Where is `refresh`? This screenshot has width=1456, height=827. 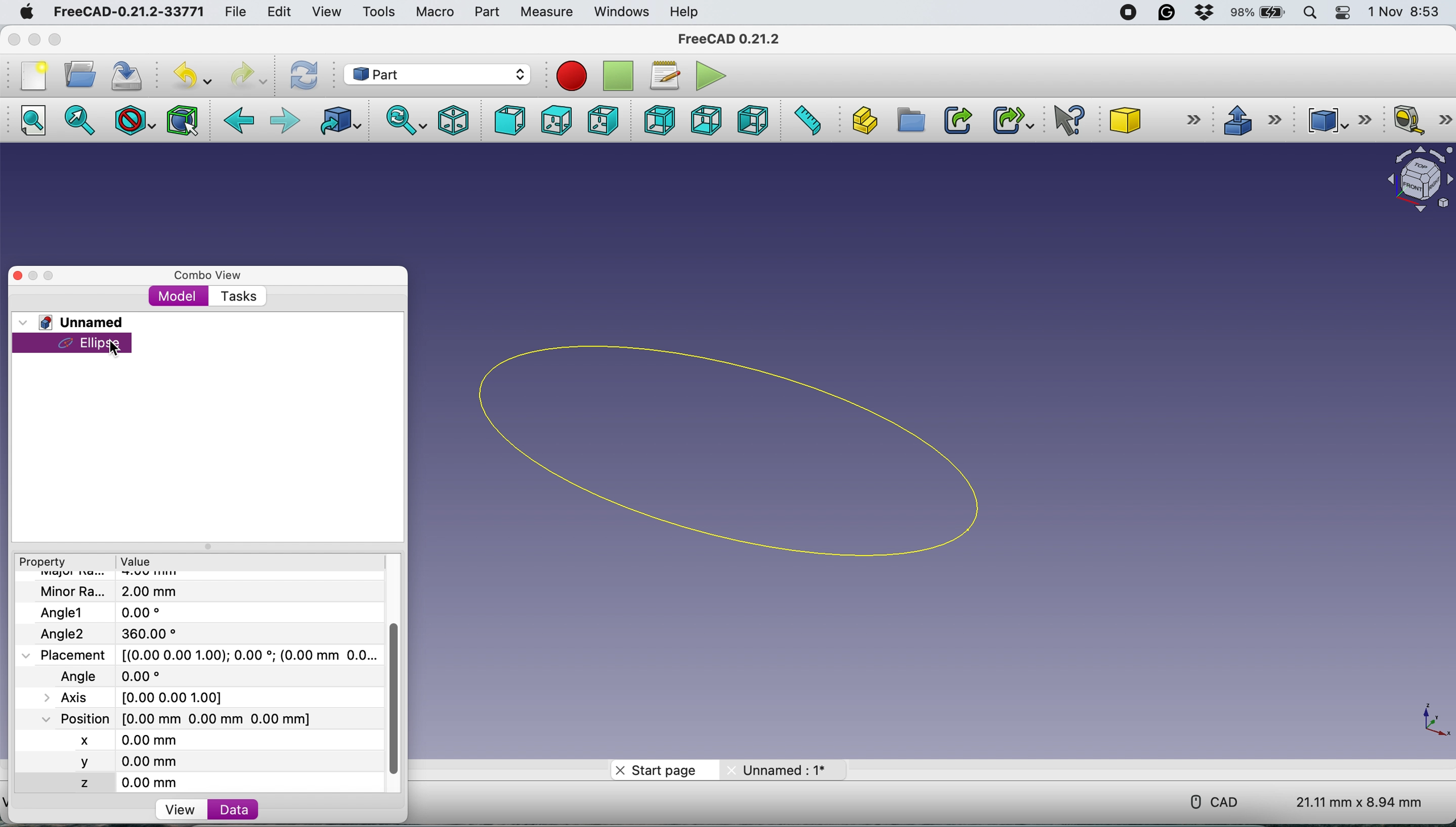
refresh is located at coordinates (303, 76).